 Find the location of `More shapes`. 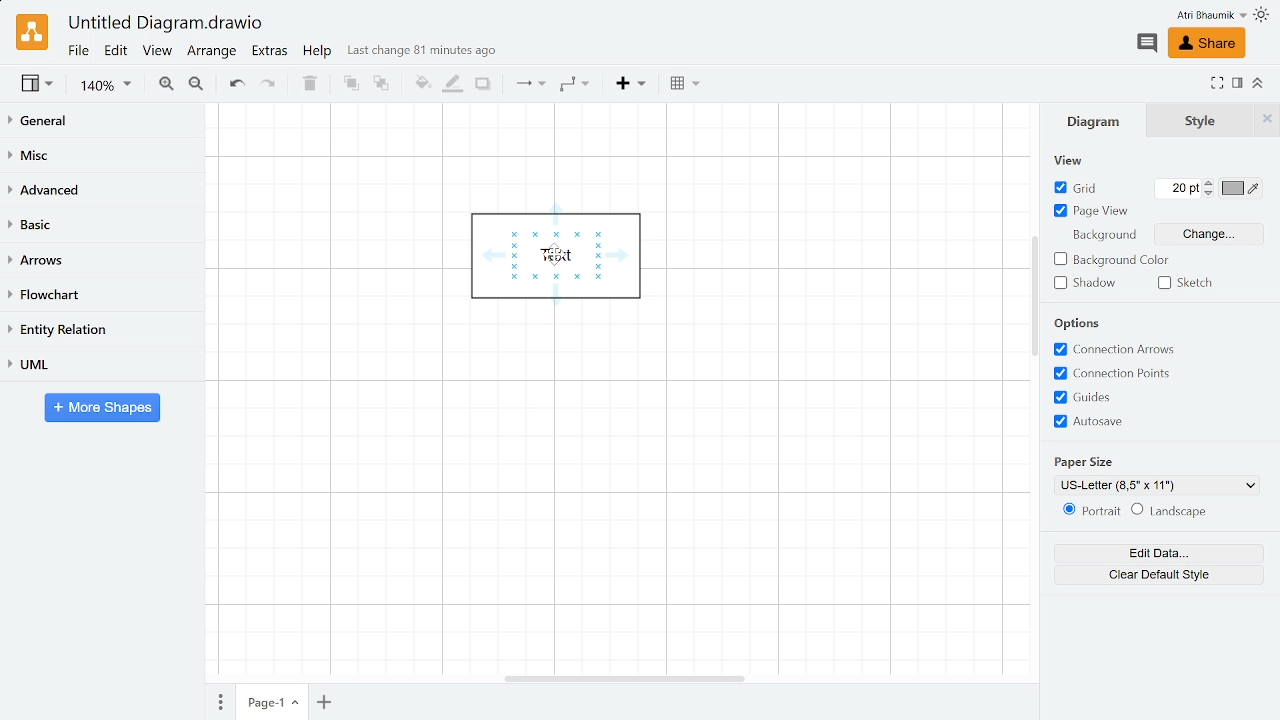

More shapes is located at coordinates (102, 409).